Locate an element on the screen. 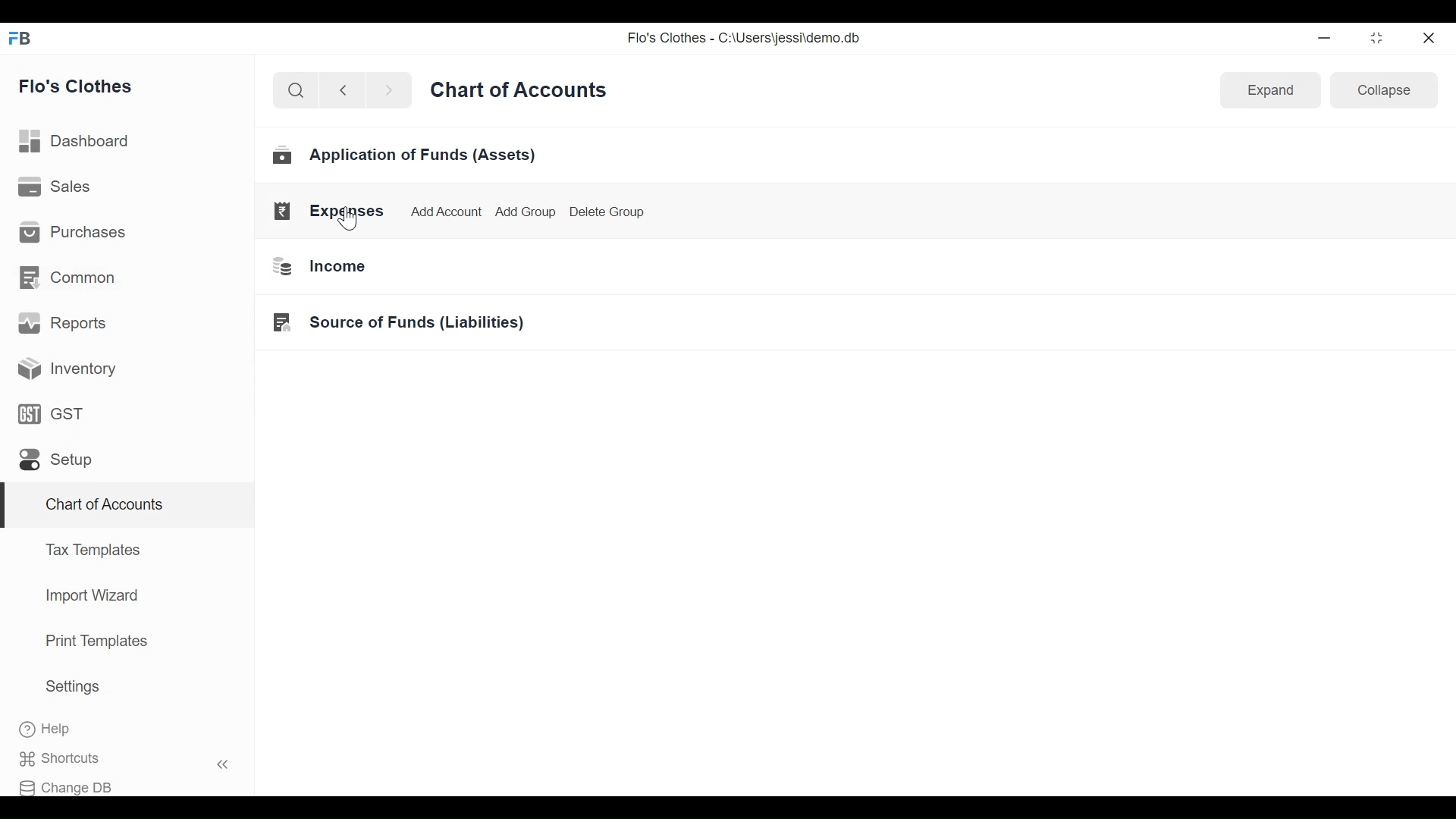 This screenshot has height=819, width=1456. next is located at coordinates (391, 93).